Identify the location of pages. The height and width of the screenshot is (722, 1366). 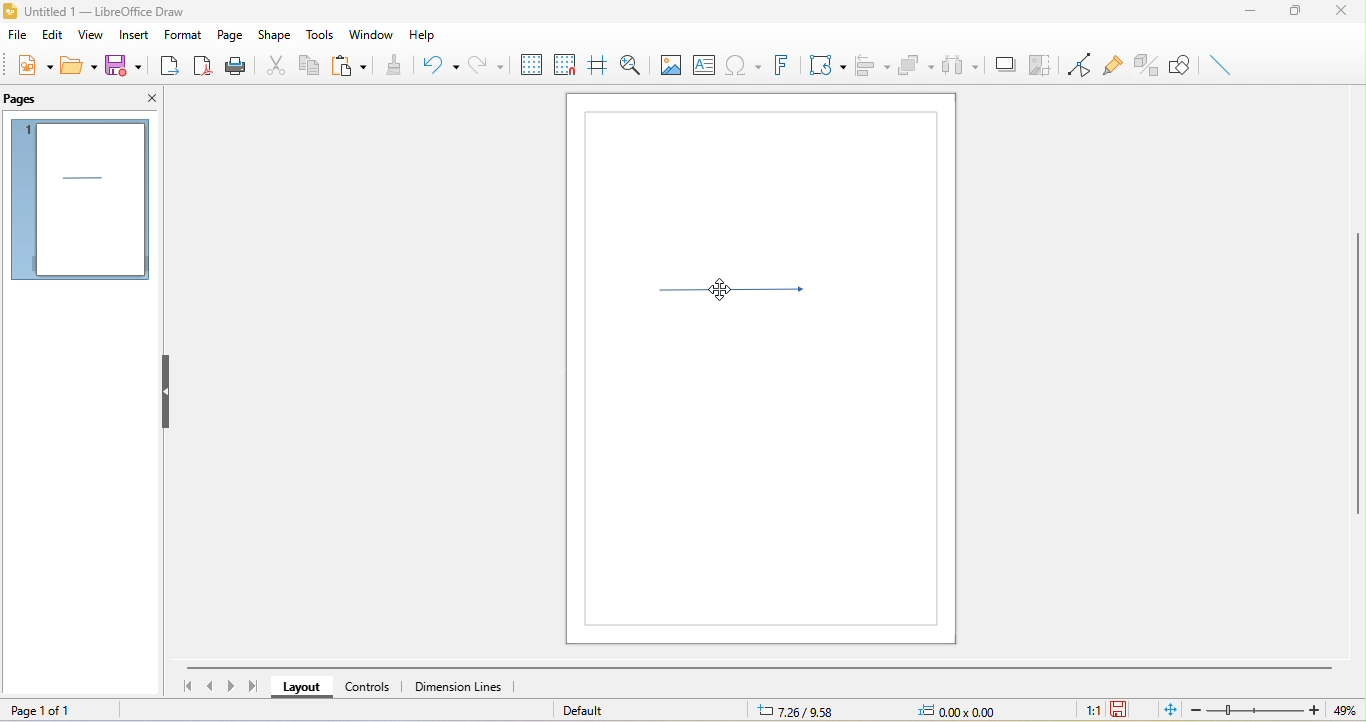
(29, 99).